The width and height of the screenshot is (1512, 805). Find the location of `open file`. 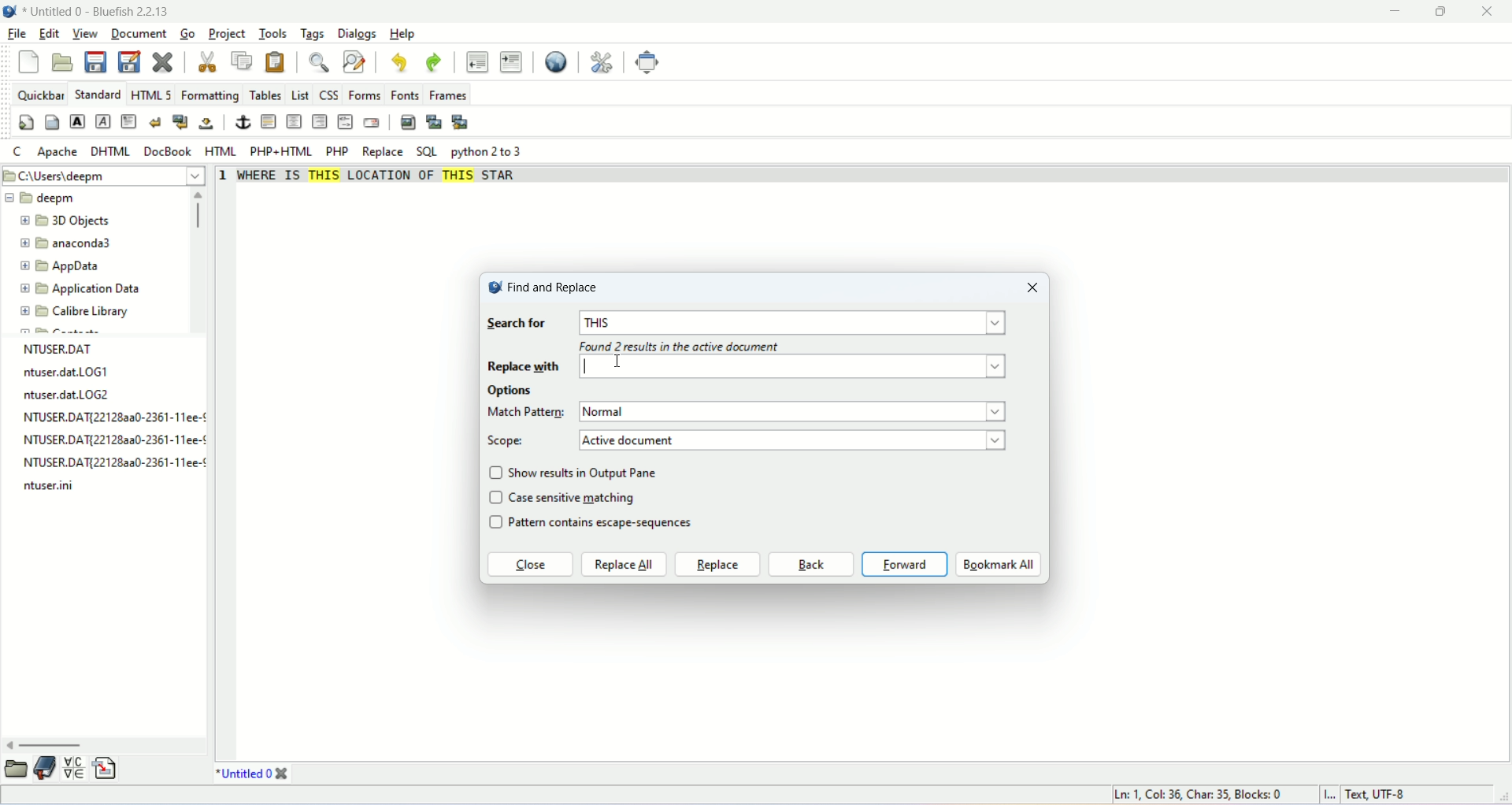

open file is located at coordinates (61, 63).